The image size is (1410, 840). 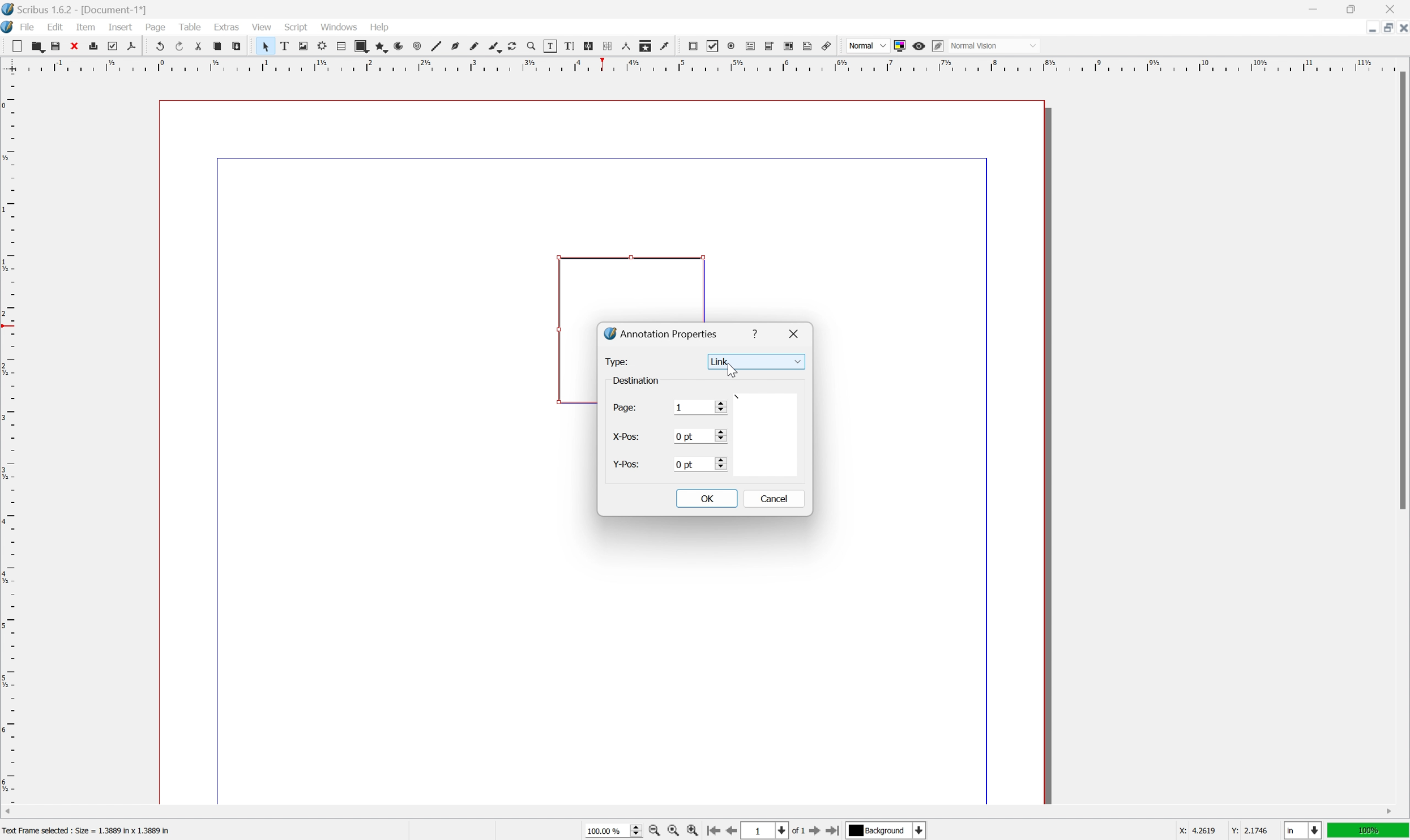 What do you see at coordinates (613, 830) in the screenshot?
I see `select current zoom level` at bounding box center [613, 830].